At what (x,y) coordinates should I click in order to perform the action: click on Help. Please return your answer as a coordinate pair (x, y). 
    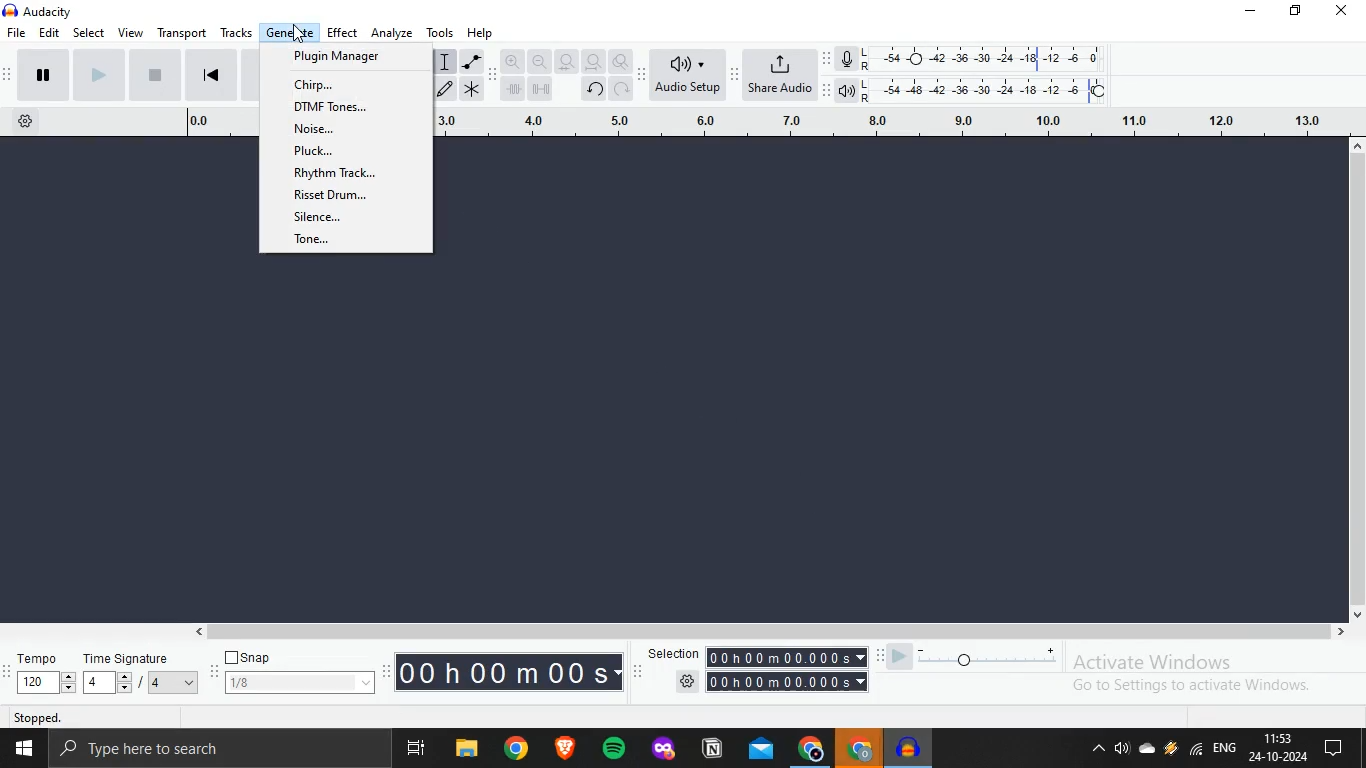
    Looking at the image, I should click on (485, 32).